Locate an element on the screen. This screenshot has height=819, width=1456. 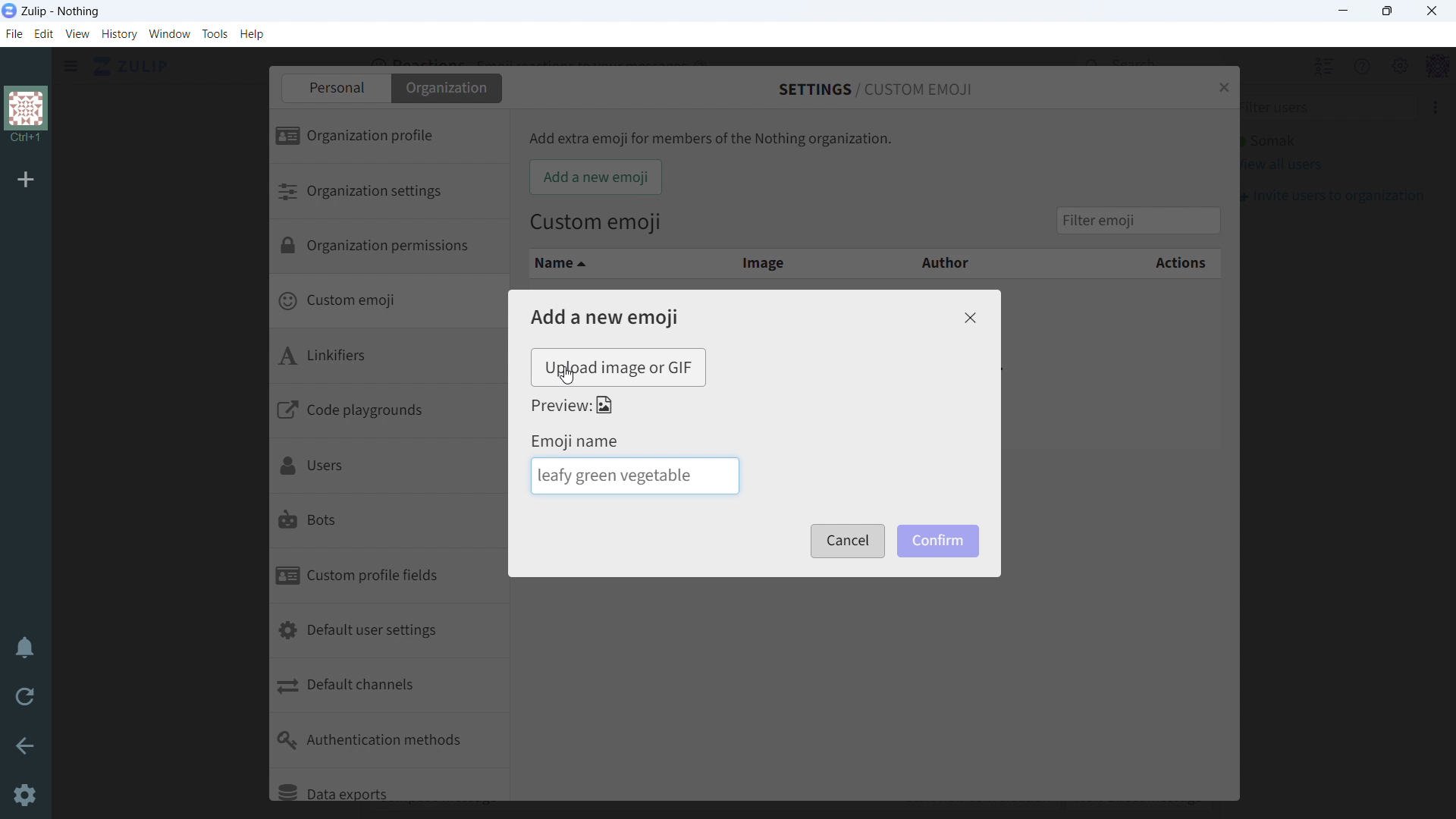
file is located at coordinates (13, 34).